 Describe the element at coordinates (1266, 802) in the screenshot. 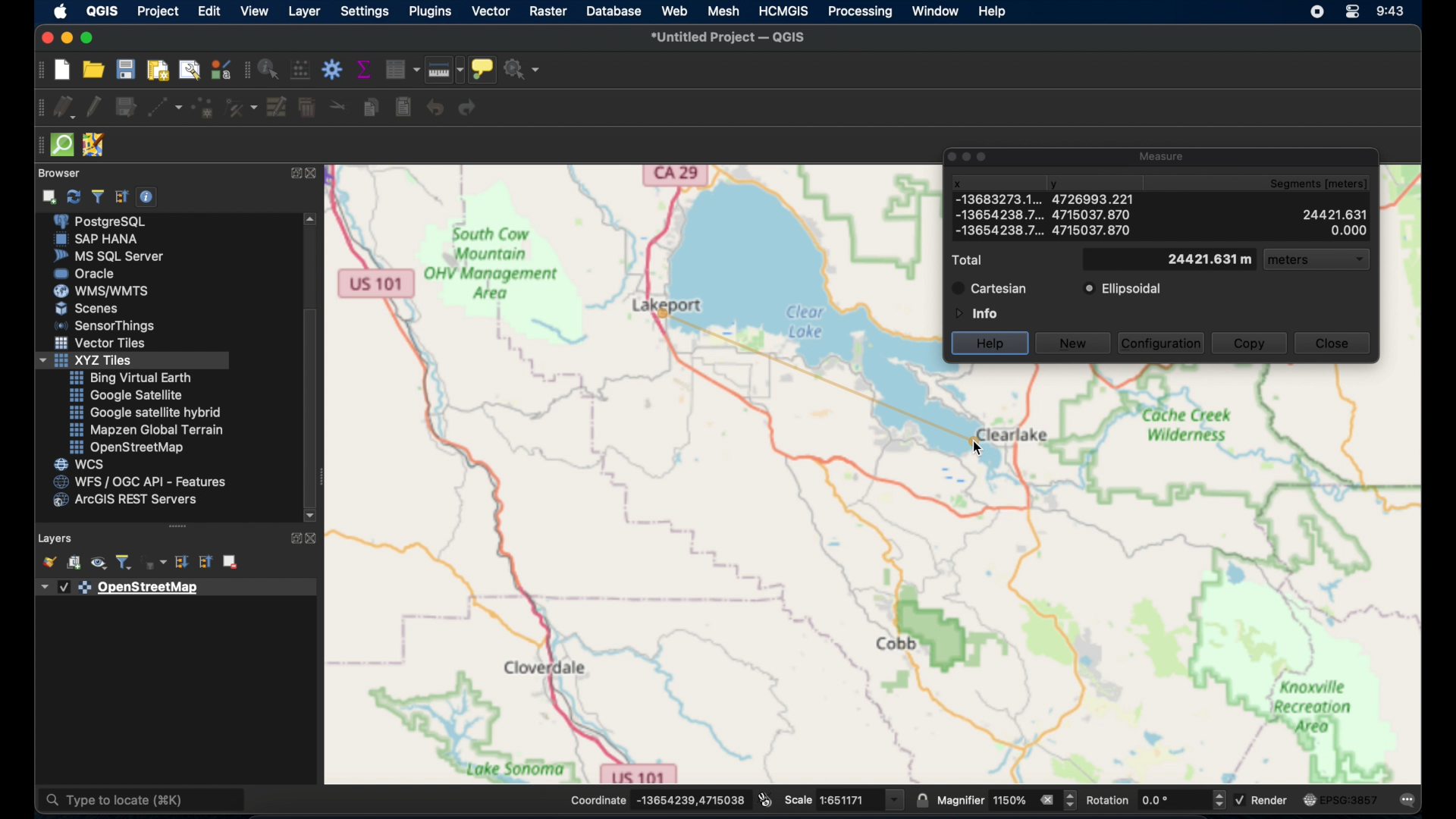

I see `render` at that location.